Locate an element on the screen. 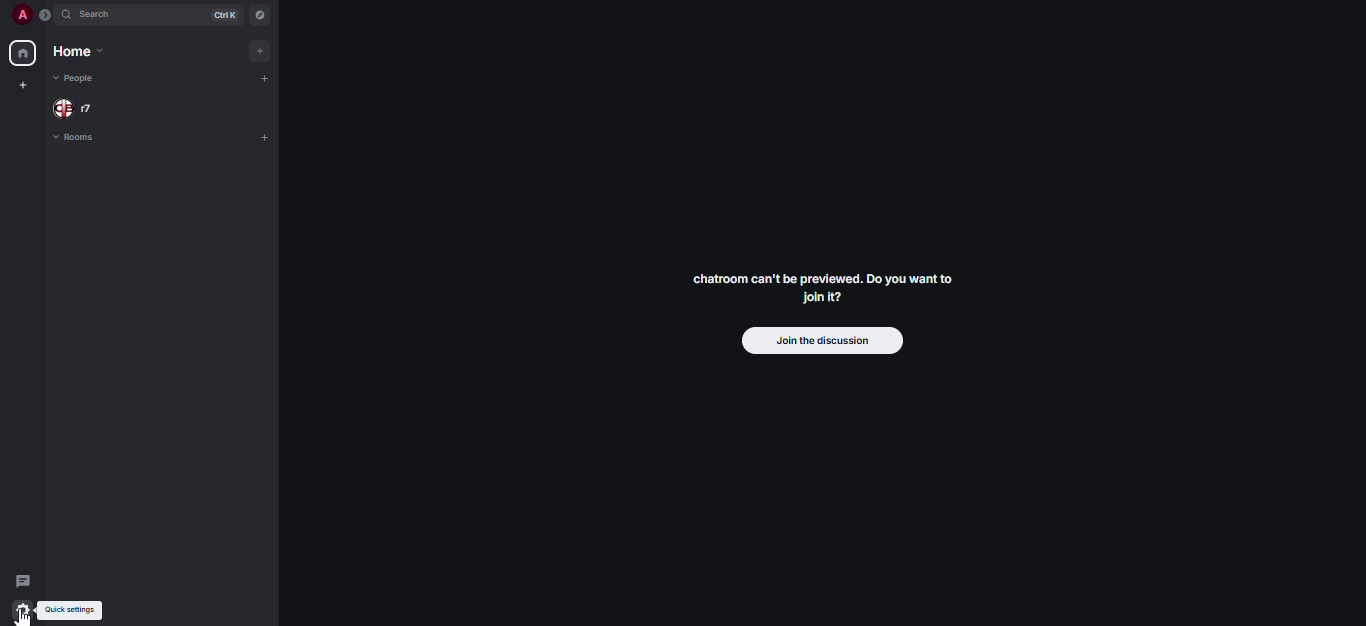 The width and height of the screenshot is (1366, 626). expand is located at coordinates (46, 15).